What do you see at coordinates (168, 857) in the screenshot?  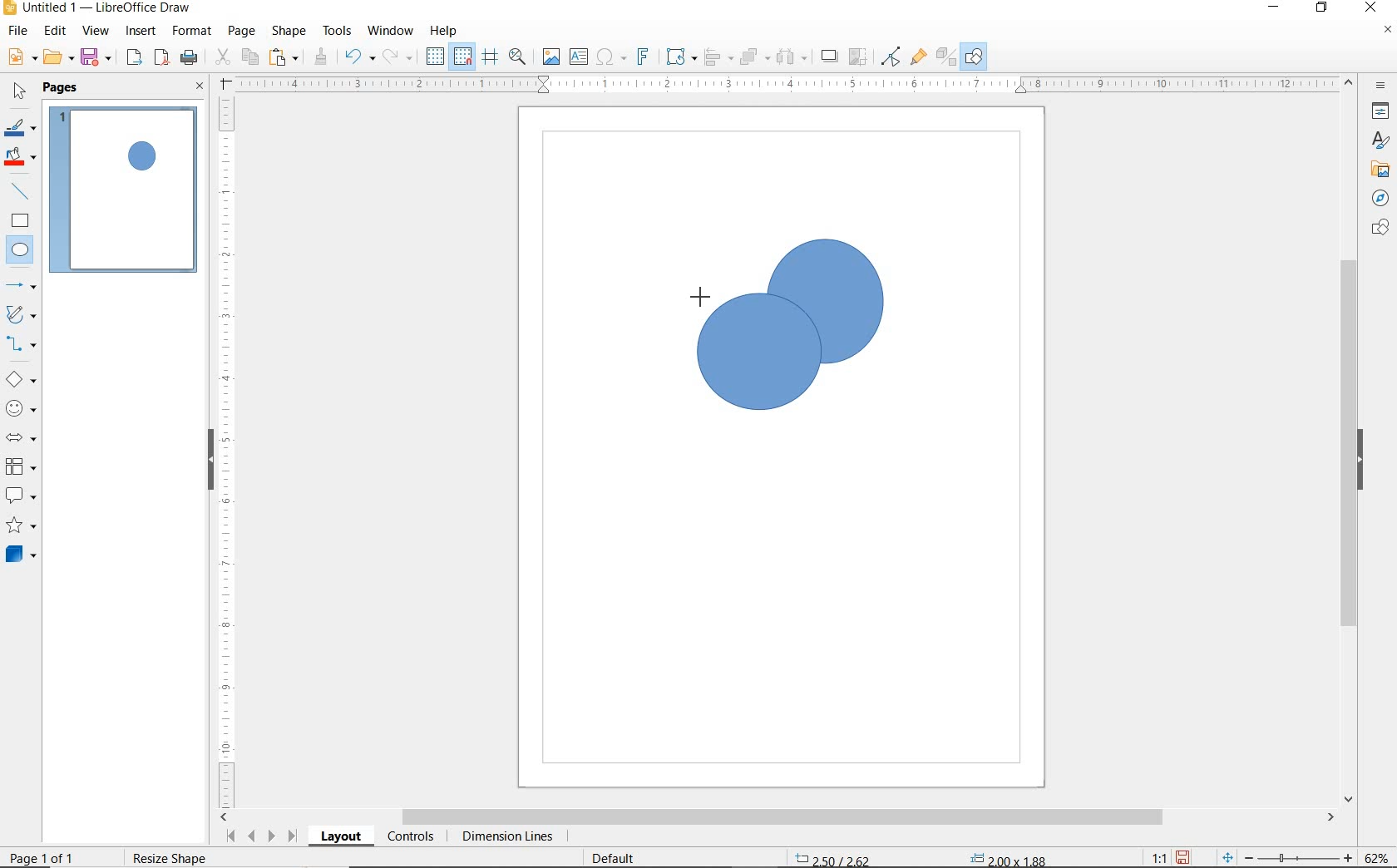 I see `rESIZE sHAPE` at bounding box center [168, 857].